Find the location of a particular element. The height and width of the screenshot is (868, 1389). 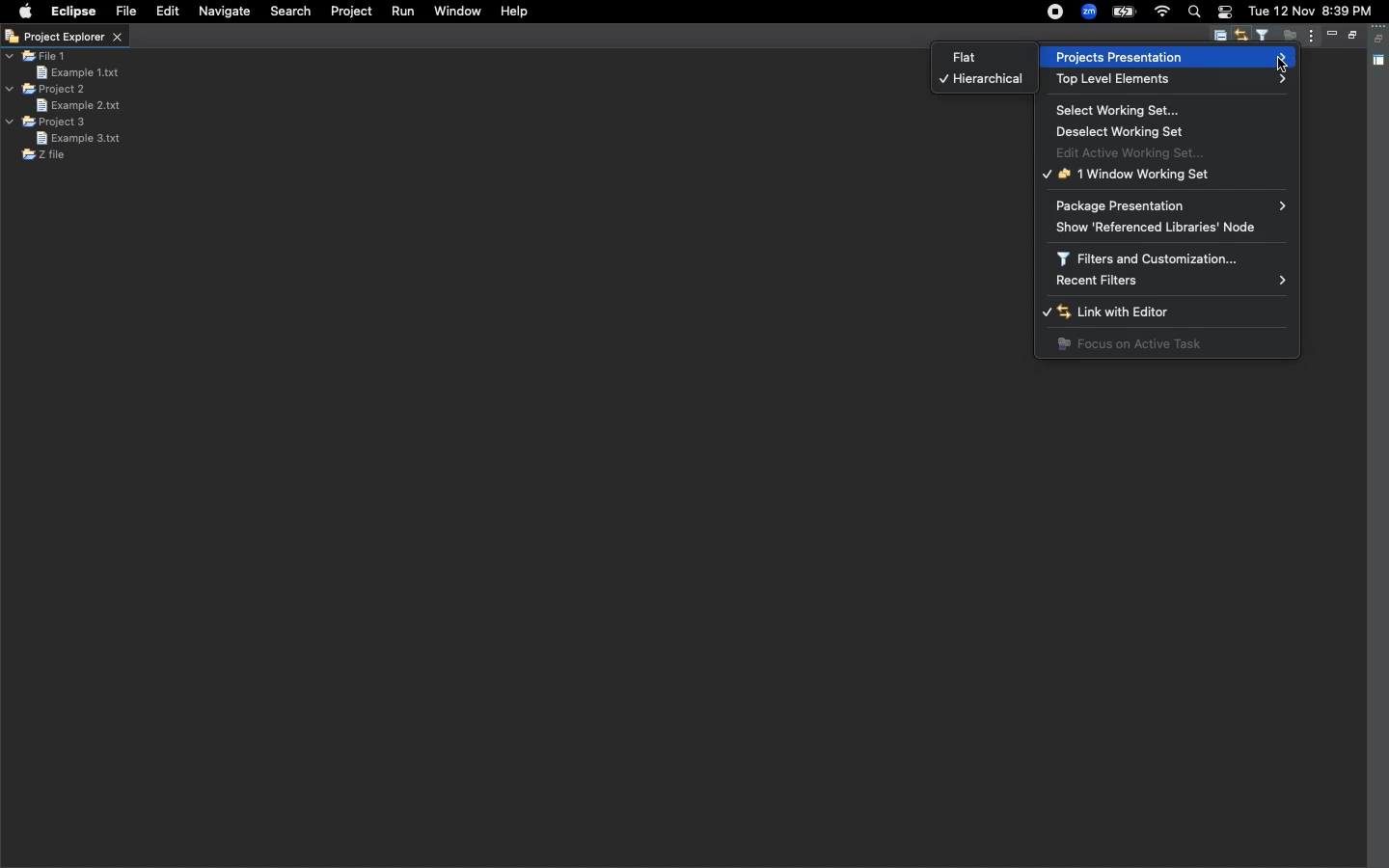

Navigate is located at coordinates (224, 12).